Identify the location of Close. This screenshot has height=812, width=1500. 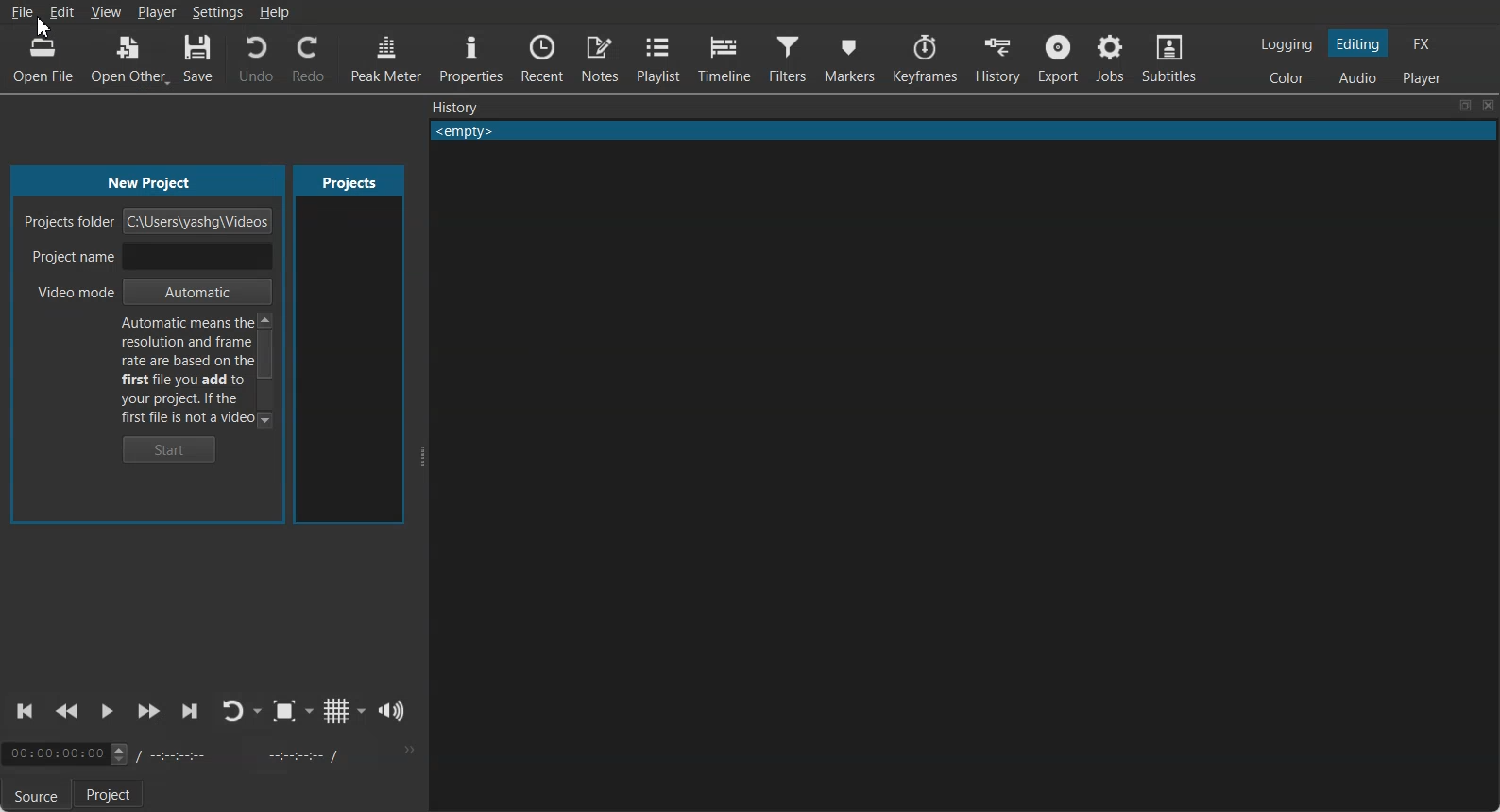
(1489, 106).